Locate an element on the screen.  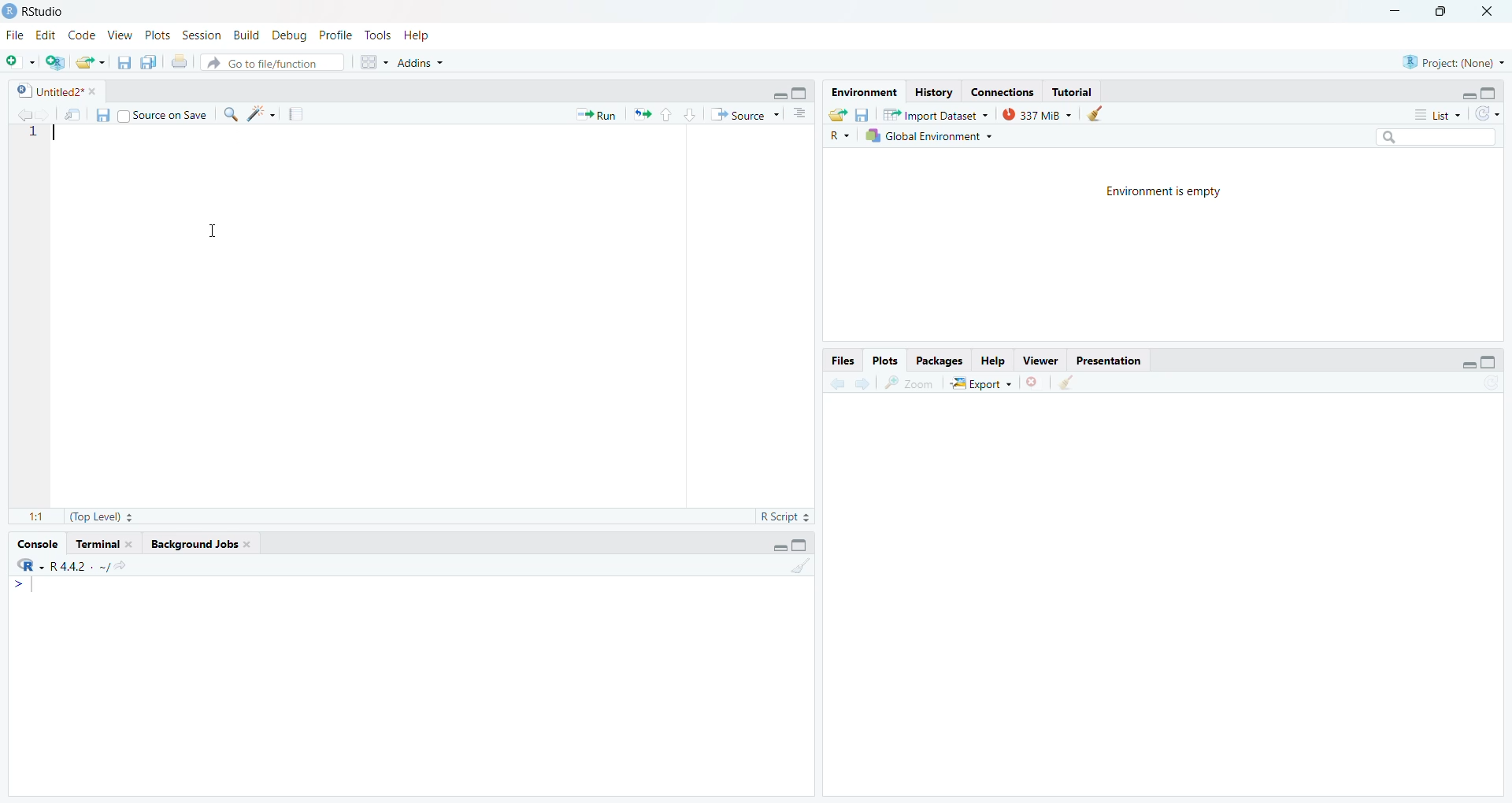
Packages is located at coordinates (943, 361).